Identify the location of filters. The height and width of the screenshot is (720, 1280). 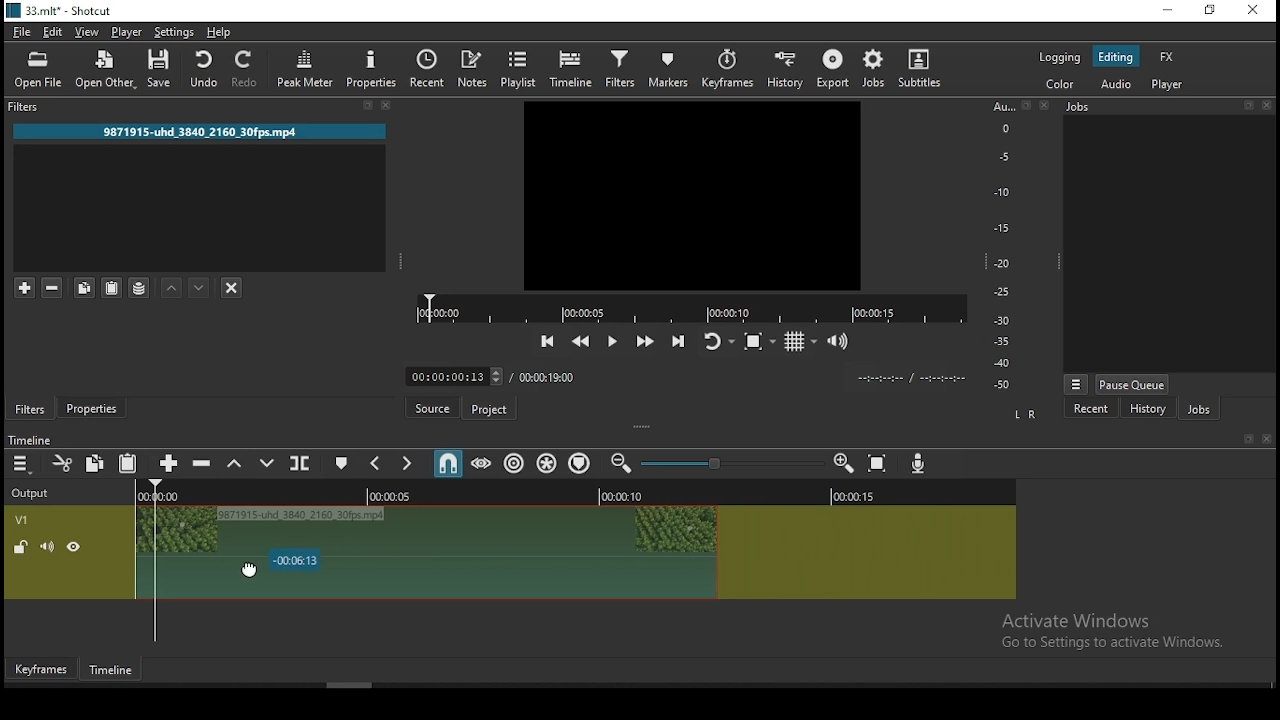
(30, 409).